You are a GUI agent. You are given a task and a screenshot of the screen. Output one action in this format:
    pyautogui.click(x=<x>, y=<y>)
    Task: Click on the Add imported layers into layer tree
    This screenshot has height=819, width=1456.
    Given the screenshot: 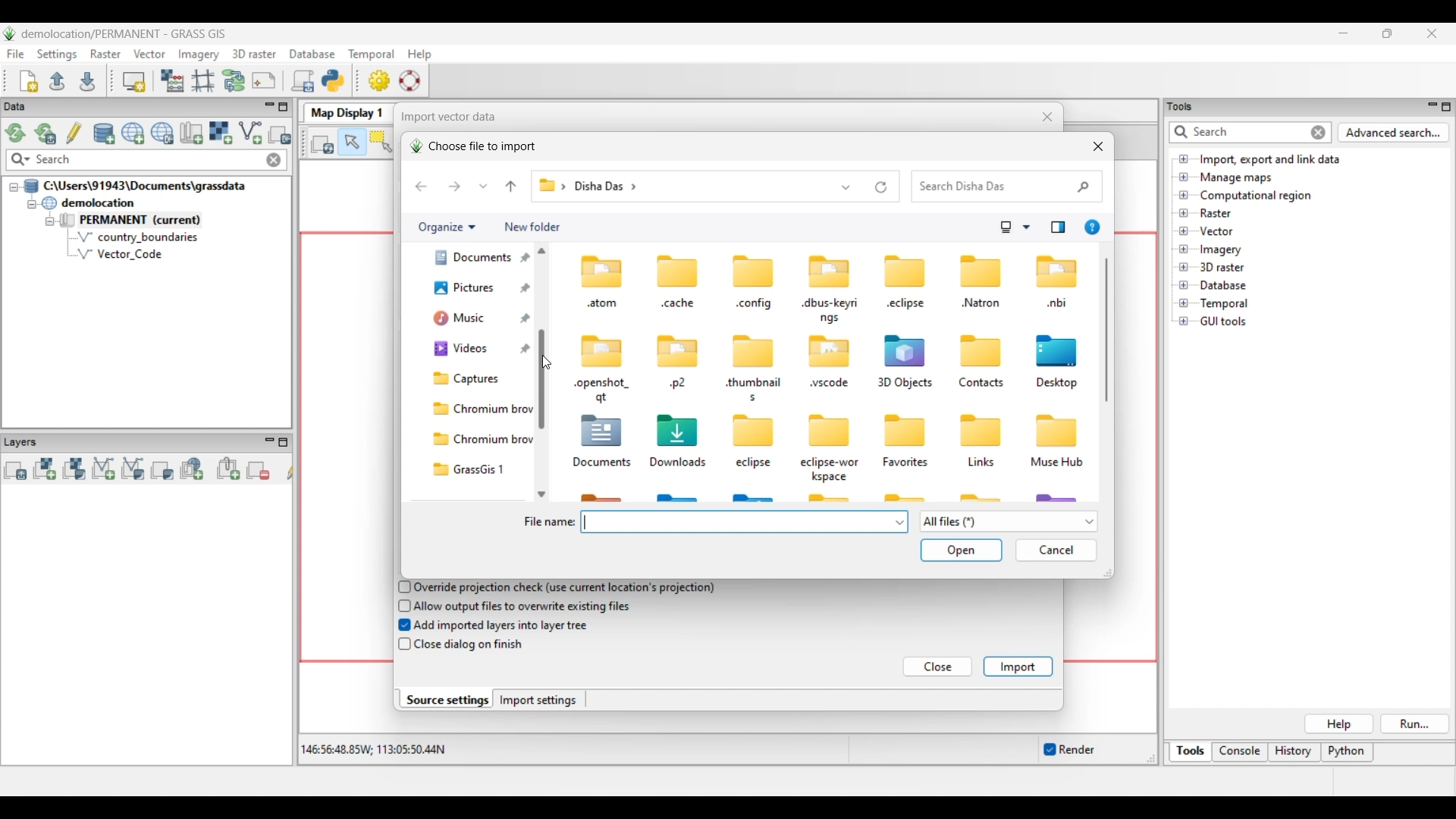 What is the action you would take?
    pyautogui.click(x=502, y=625)
    